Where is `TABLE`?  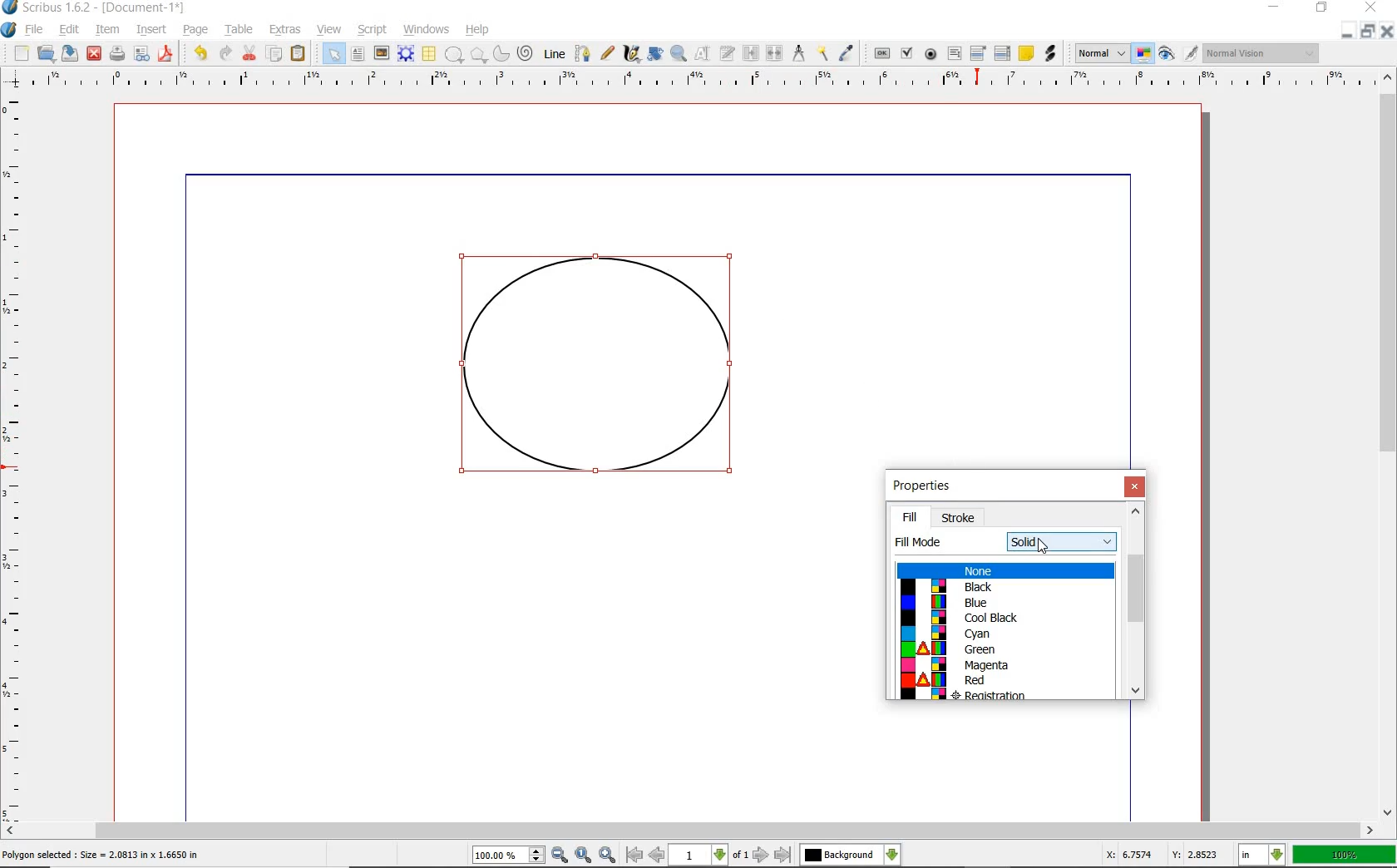
TABLE is located at coordinates (239, 30).